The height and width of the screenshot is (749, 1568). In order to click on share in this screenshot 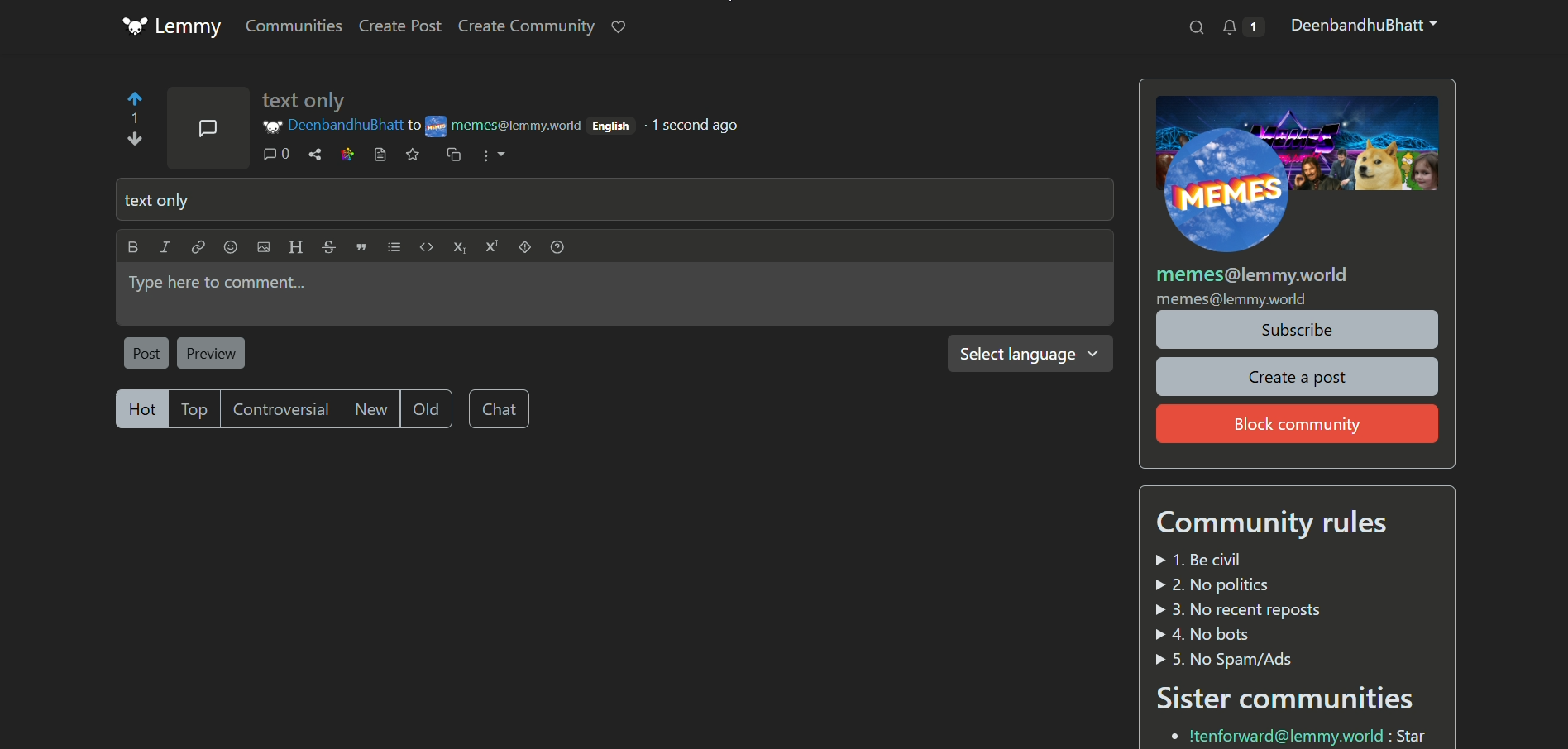, I will do `click(318, 155)`.